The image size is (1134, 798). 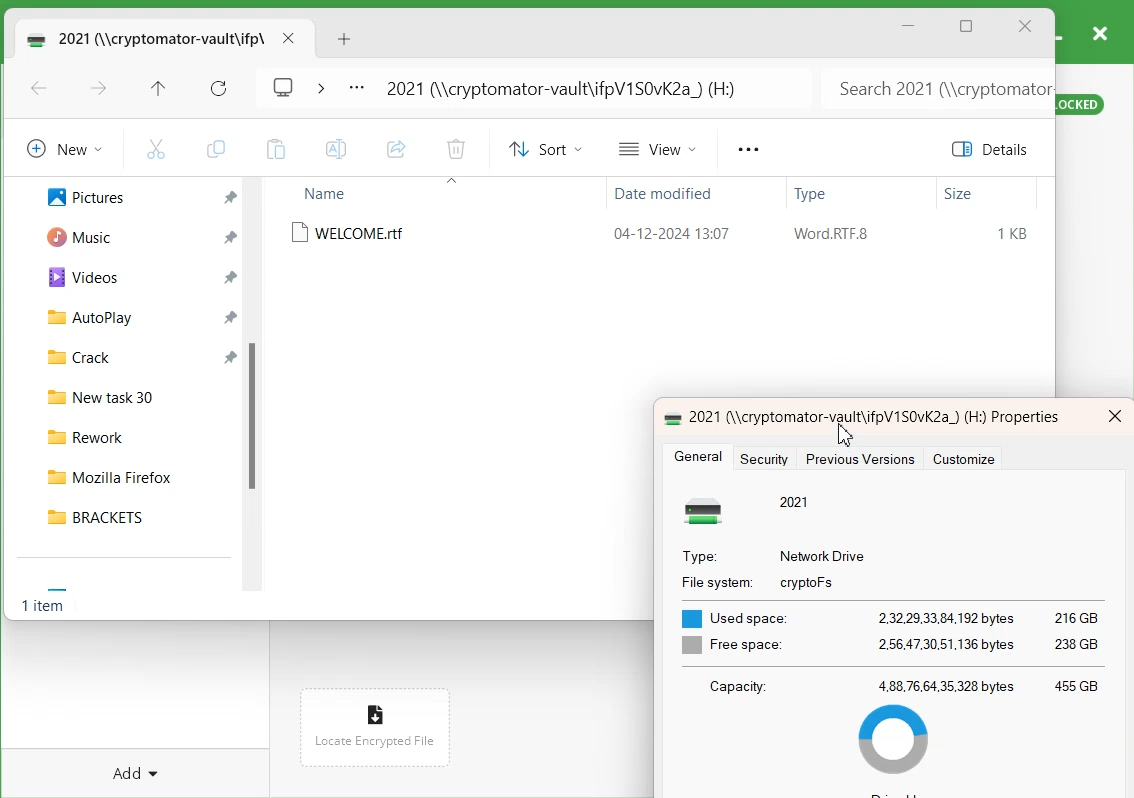 I want to click on Previous Versions, so click(x=859, y=459).